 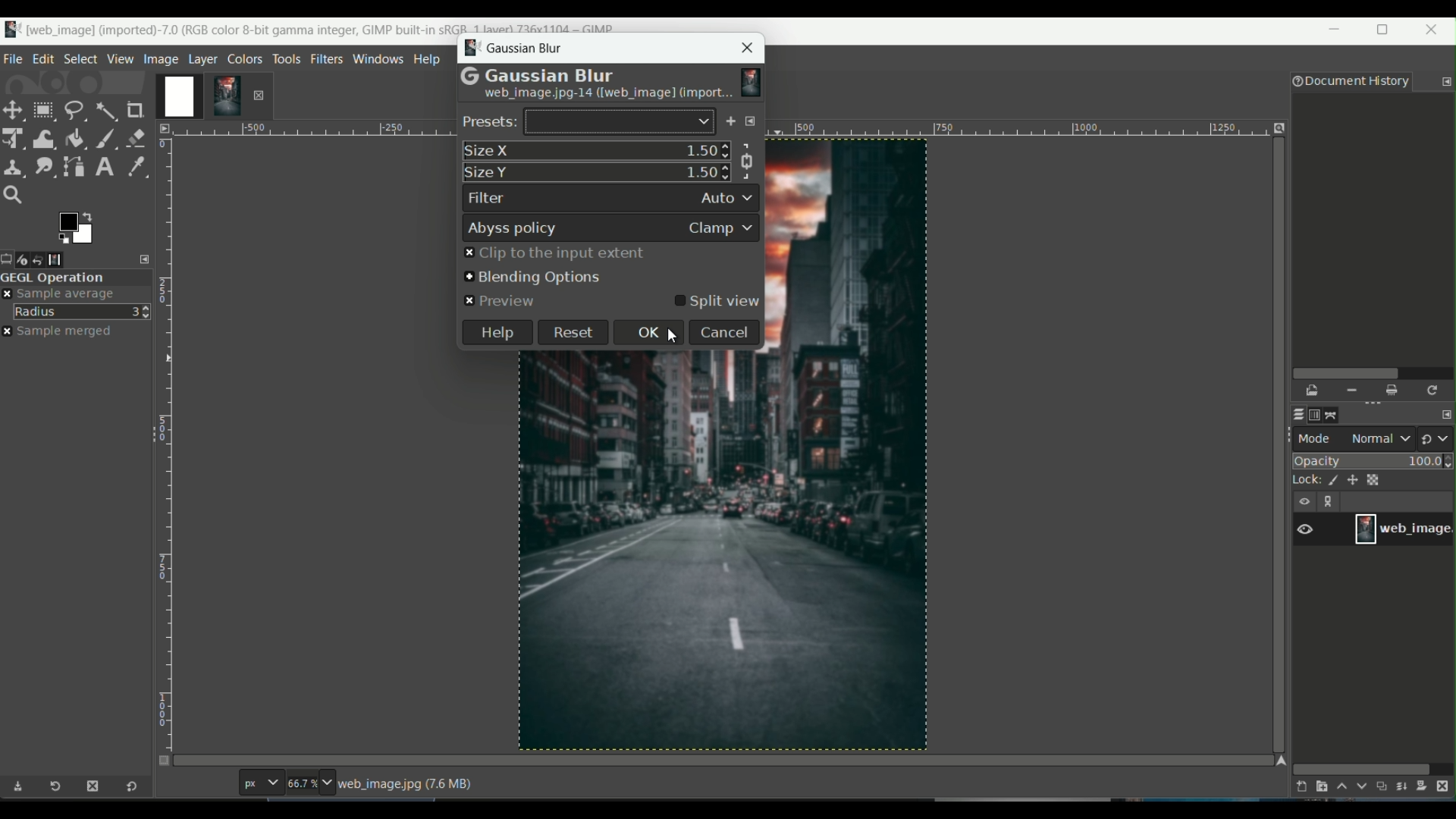 What do you see at coordinates (14, 57) in the screenshot?
I see `file tab` at bounding box center [14, 57].